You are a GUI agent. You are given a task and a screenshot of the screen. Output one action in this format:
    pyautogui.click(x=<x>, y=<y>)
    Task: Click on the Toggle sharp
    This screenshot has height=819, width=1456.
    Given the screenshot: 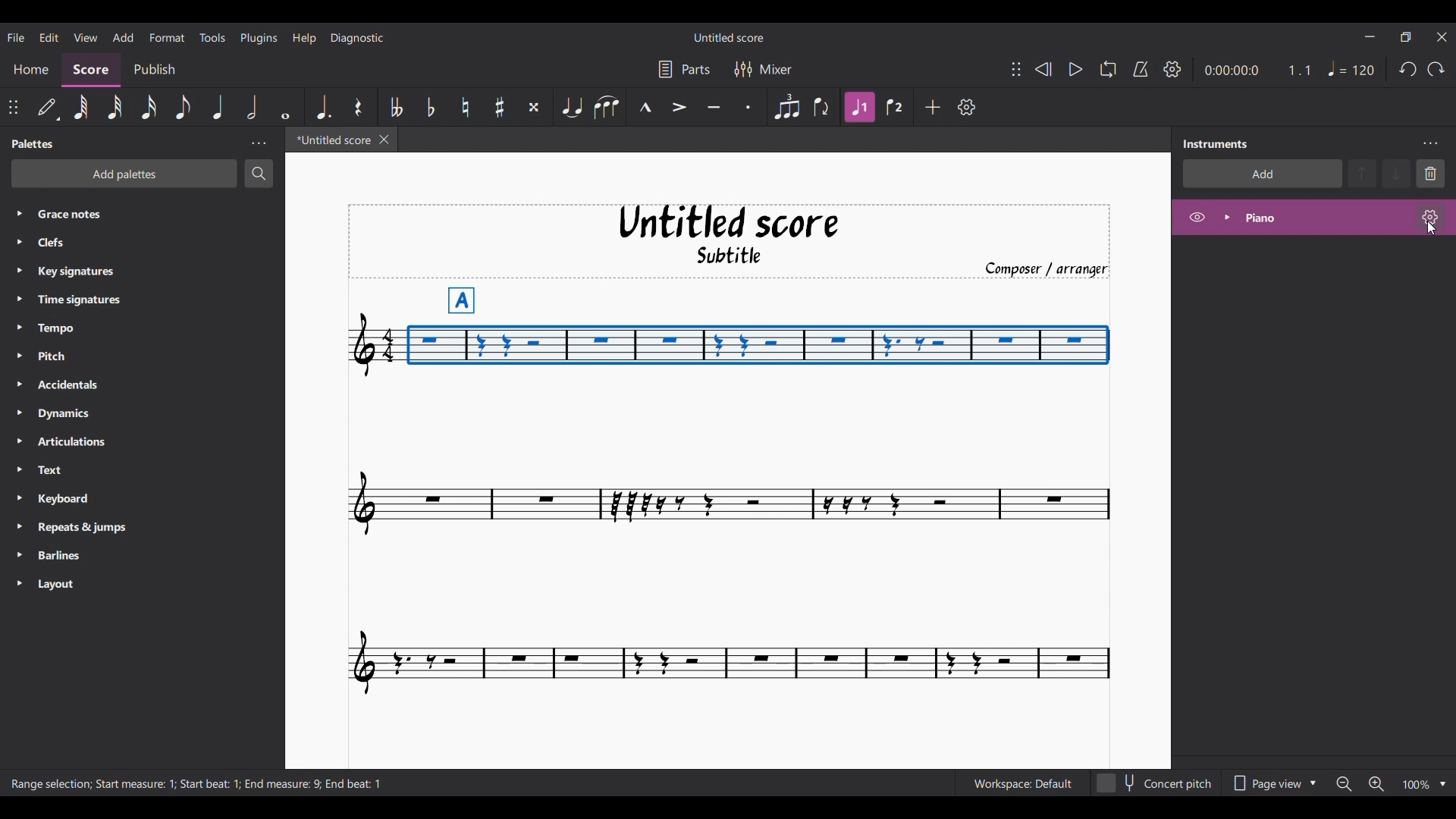 What is the action you would take?
    pyautogui.click(x=500, y=106)
    